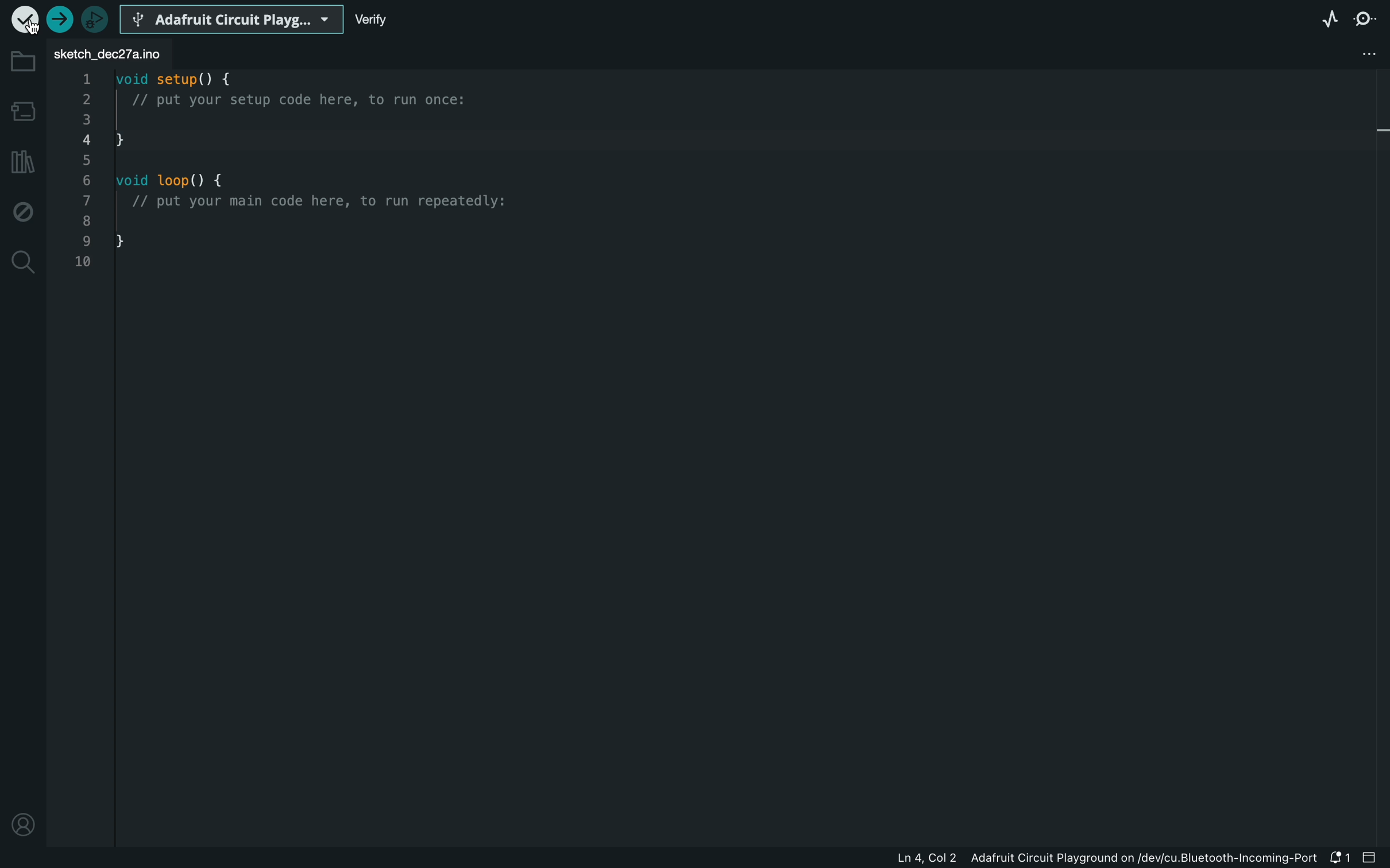 This screenshot has width=1390, height=868. What do you see at coordinates (60, 19) in the screenshot?
I see `upload` at bounding box center [60, 19].